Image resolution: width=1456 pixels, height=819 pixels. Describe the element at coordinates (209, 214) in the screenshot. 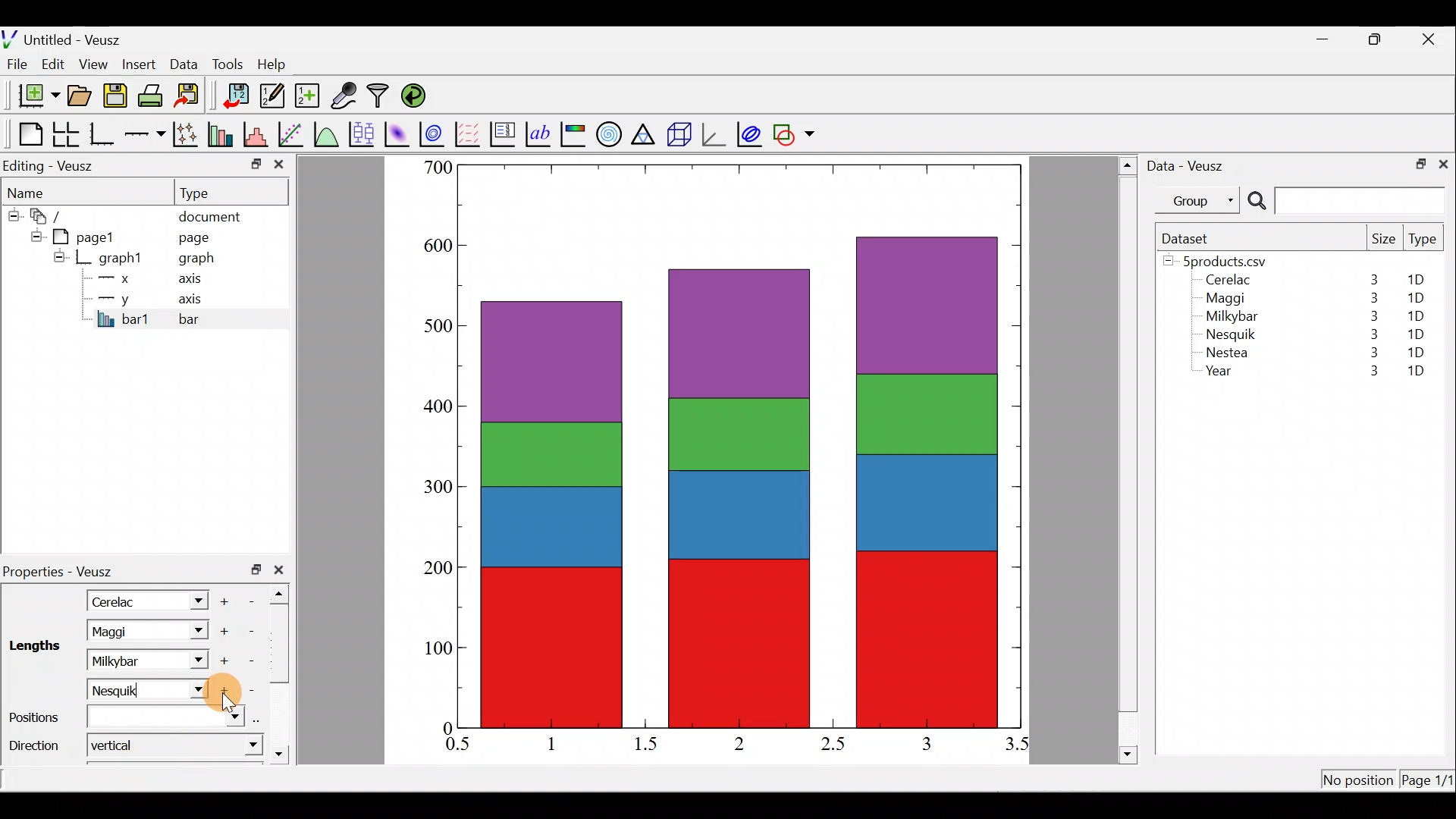

I see `document` at that location.